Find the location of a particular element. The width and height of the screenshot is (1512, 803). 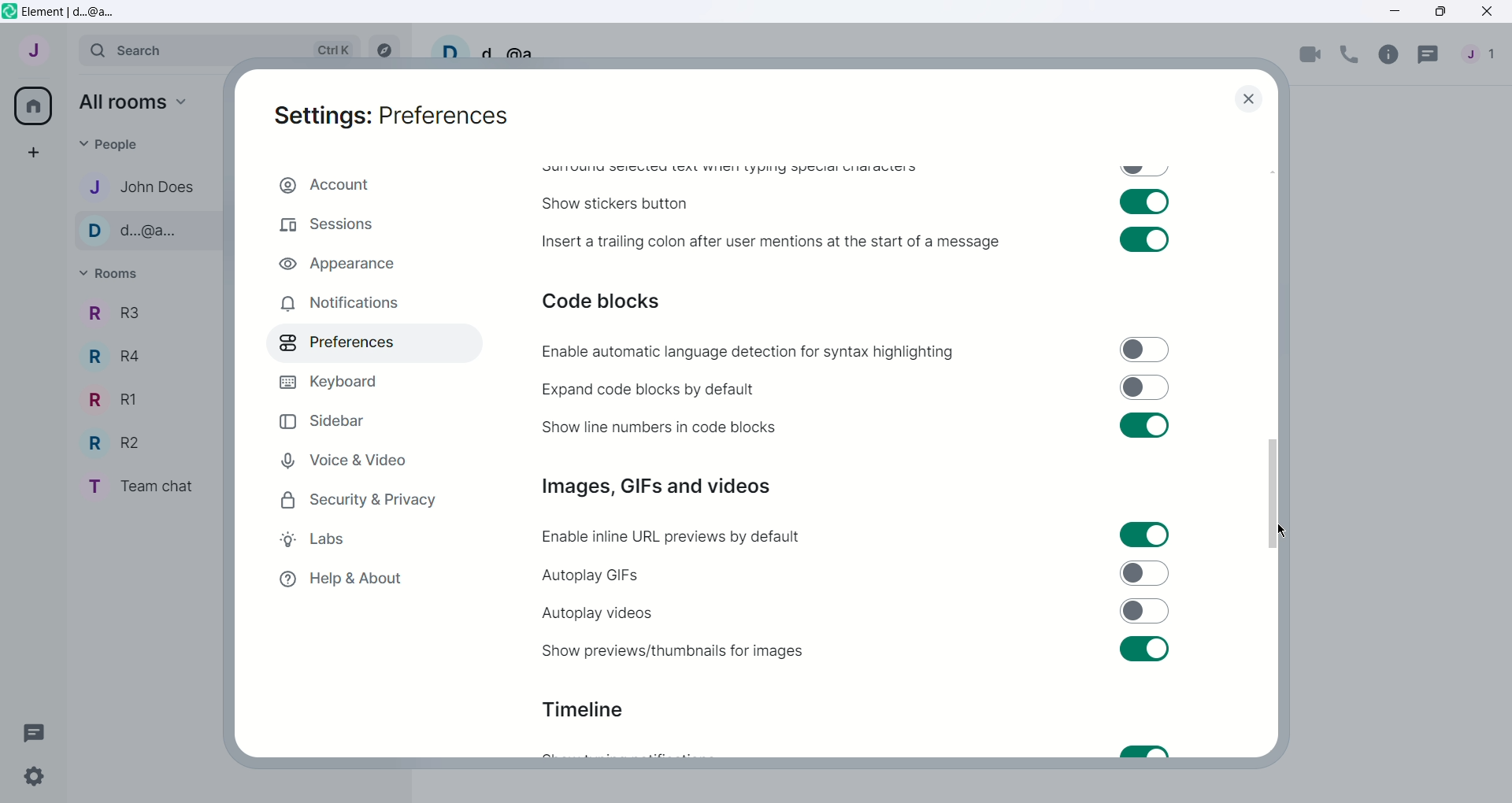

Voice and Video is located at coordinates (365, 460).